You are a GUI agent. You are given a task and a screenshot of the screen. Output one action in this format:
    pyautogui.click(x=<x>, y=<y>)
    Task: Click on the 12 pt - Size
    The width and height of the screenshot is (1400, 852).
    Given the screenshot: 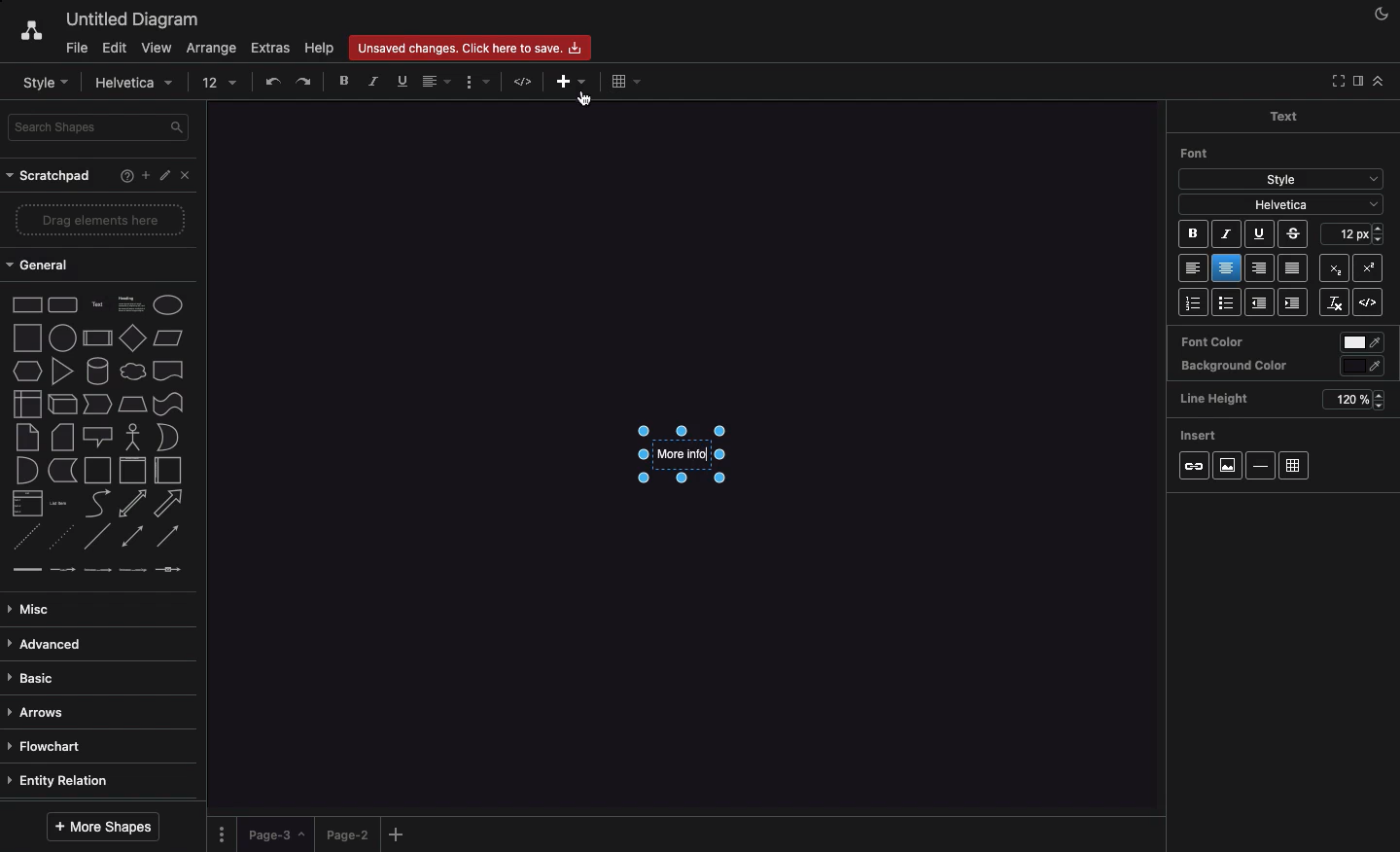 What is the action you would take?
    pyautogui.click(x=1355, y=232)
    